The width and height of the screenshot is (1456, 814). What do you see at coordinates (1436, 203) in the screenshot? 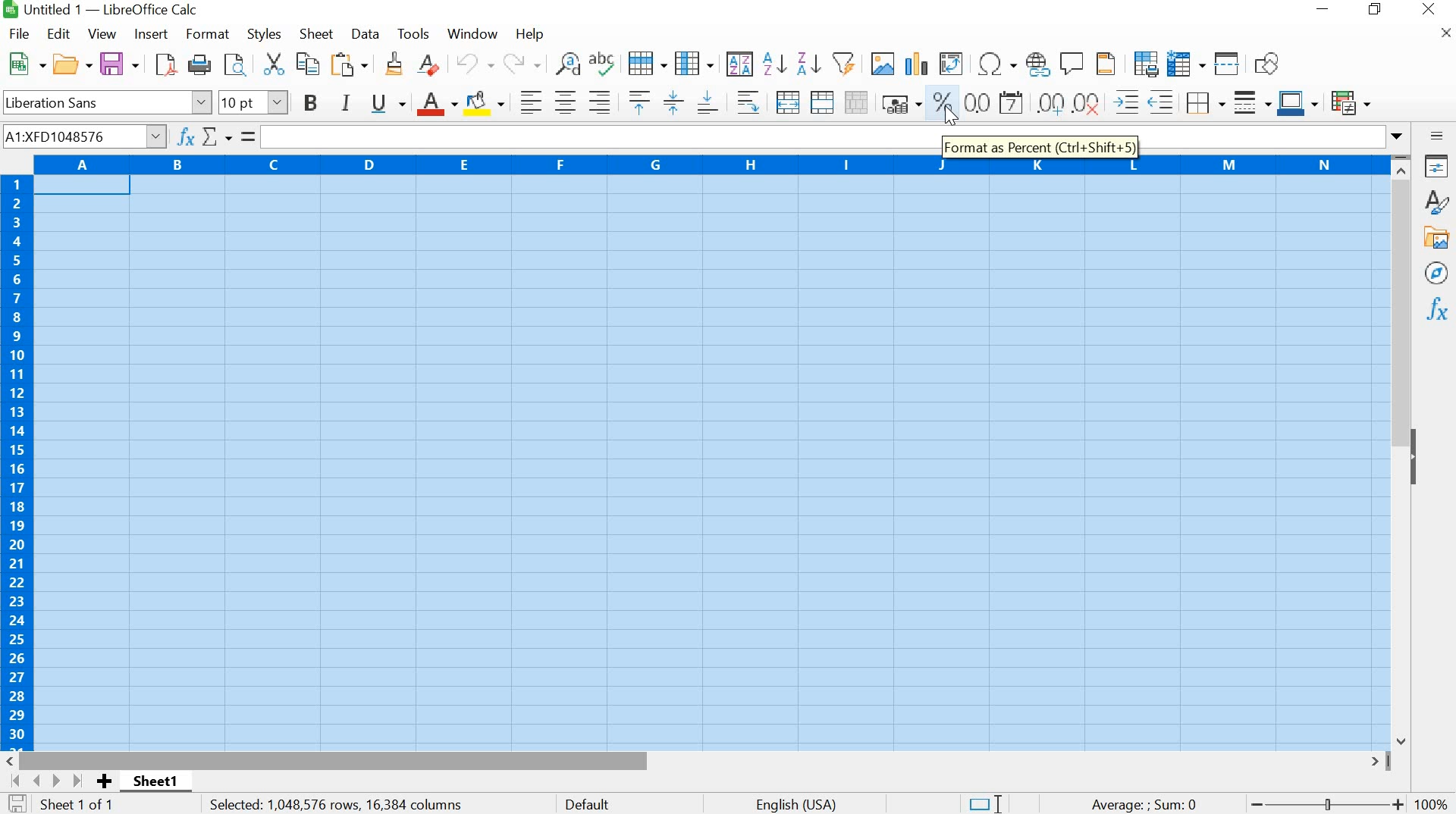
I see `Styles` at bounding box center [1436, 203].